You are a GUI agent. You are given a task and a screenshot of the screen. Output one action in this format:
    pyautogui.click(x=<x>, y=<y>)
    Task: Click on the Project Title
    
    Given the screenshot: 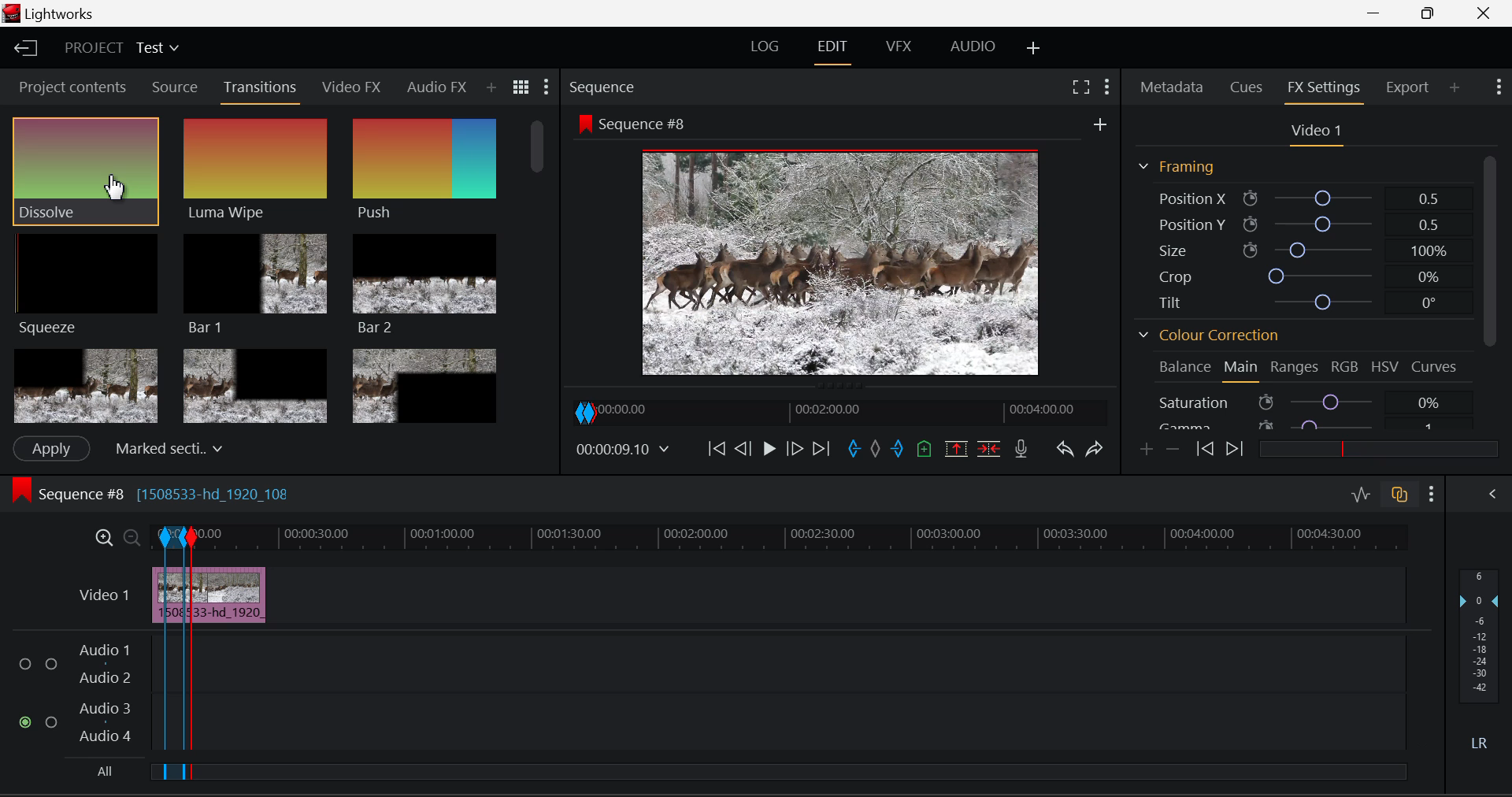 What is the action you would take?
    pyautogui.click(x=120, y=46)
    